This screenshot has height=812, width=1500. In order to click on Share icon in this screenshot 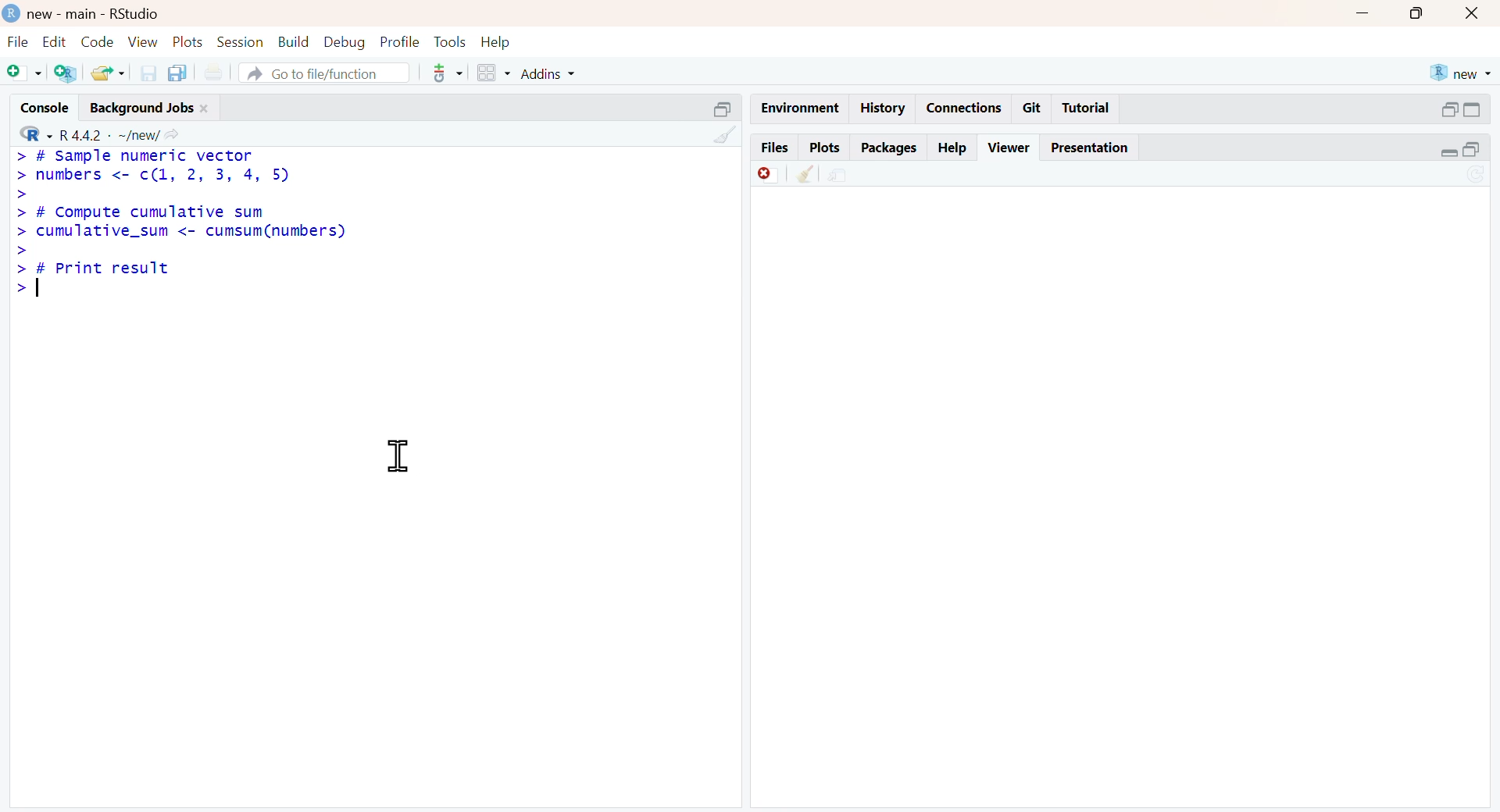, I will do `click(172, 133)`.